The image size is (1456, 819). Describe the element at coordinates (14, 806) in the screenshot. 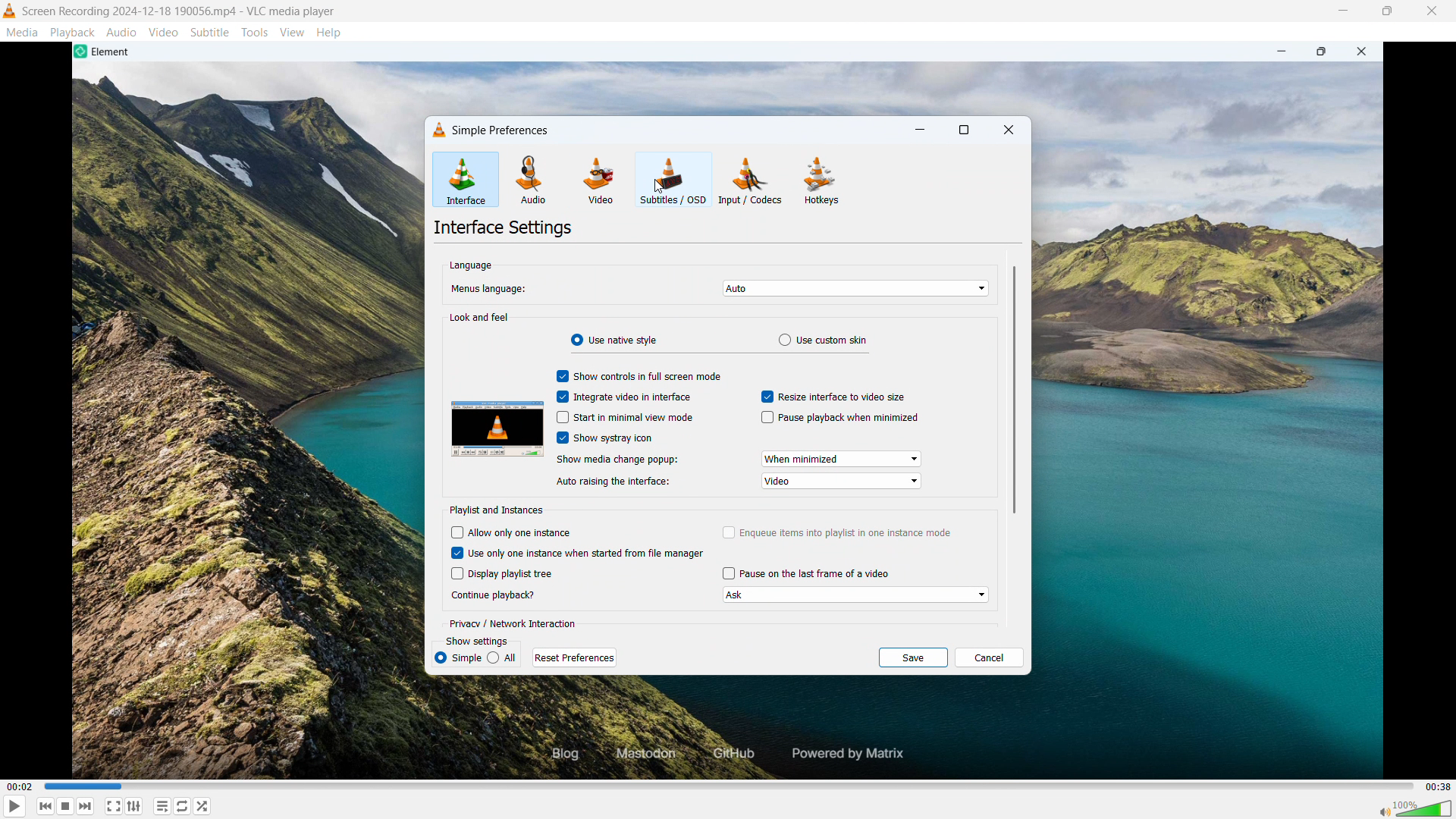

I see `Play ` at that location.